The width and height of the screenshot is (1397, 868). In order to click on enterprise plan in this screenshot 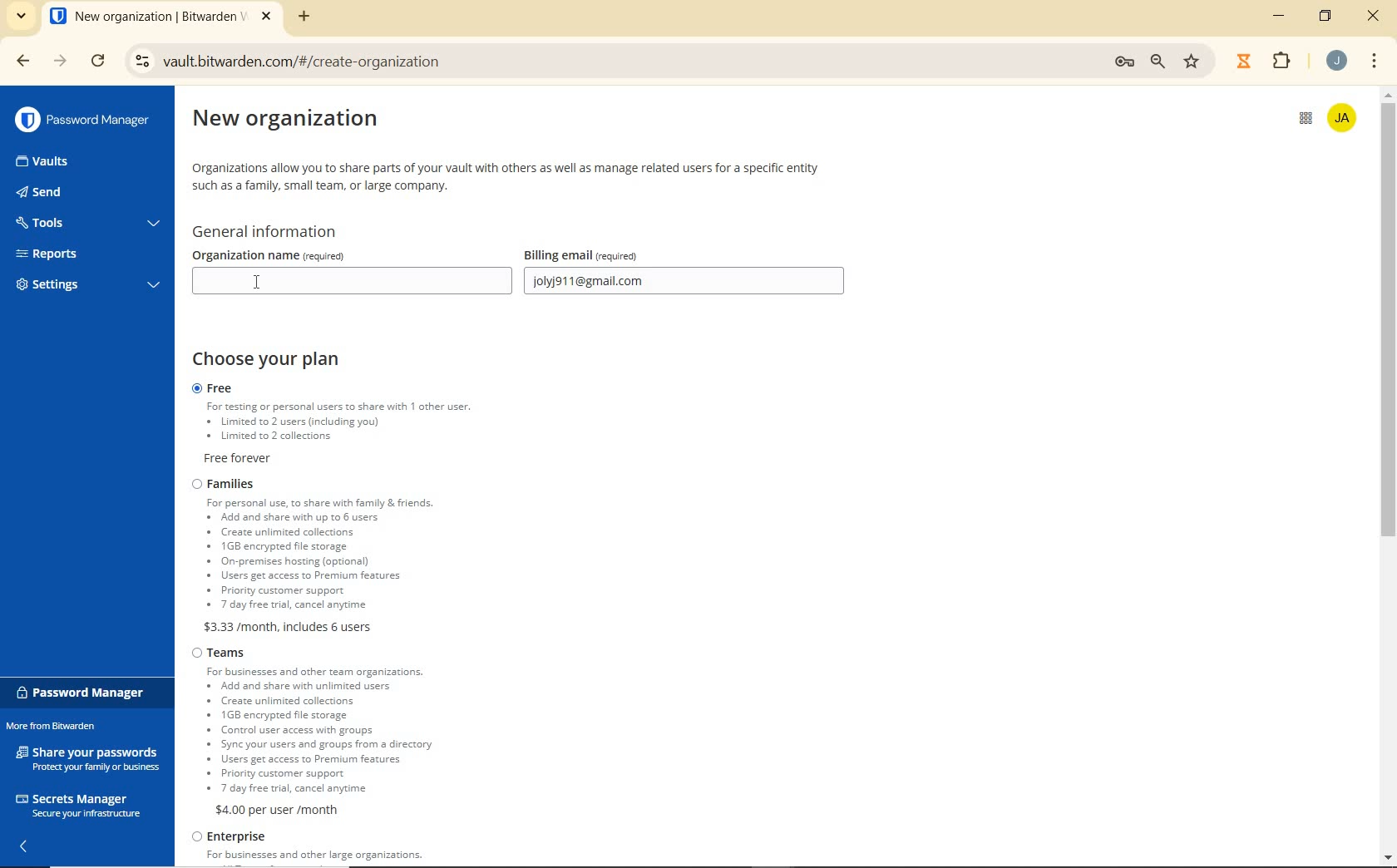, I will do `click(315, 849)`.